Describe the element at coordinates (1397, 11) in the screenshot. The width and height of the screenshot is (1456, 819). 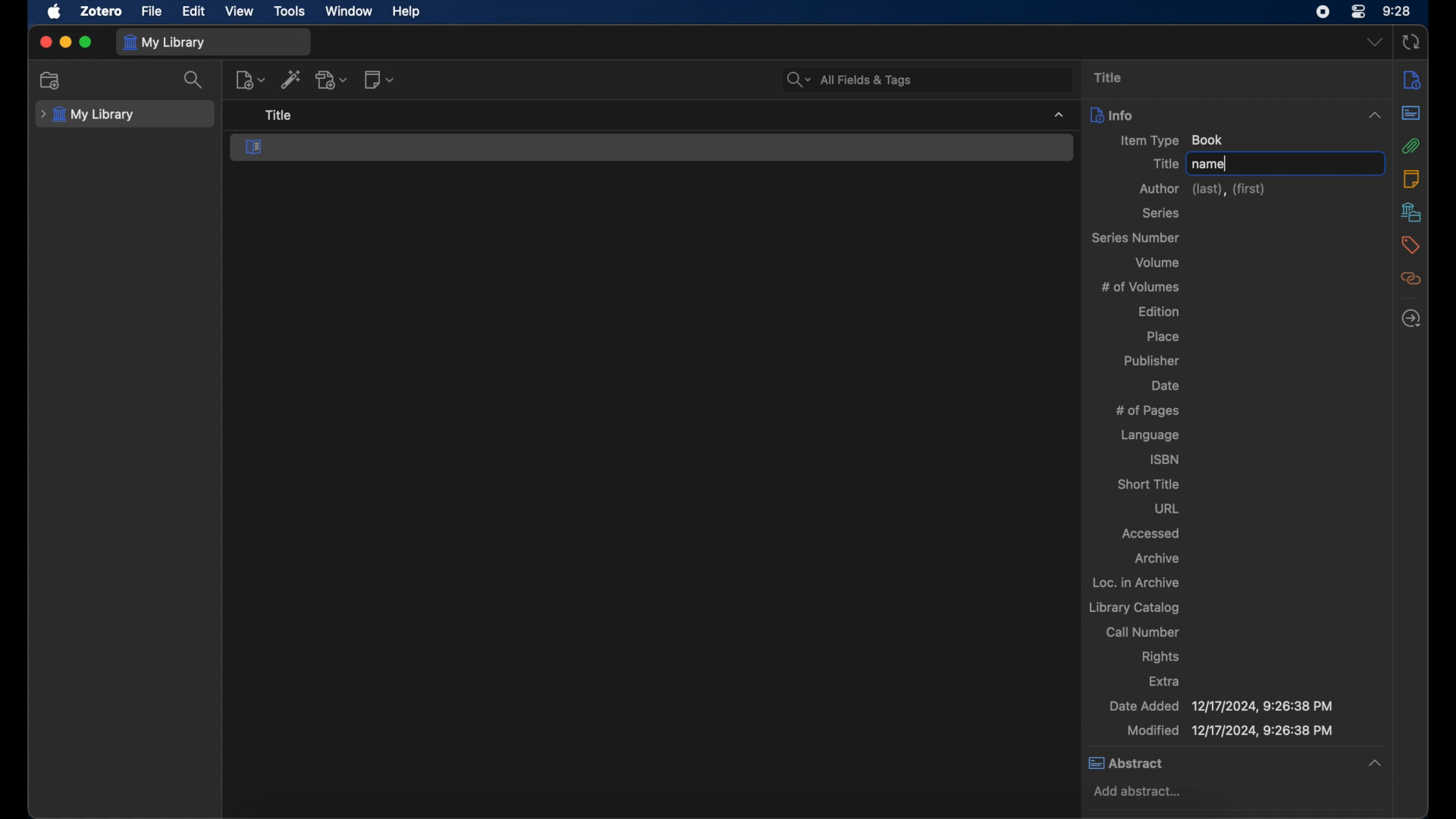
I see `time` at that location.